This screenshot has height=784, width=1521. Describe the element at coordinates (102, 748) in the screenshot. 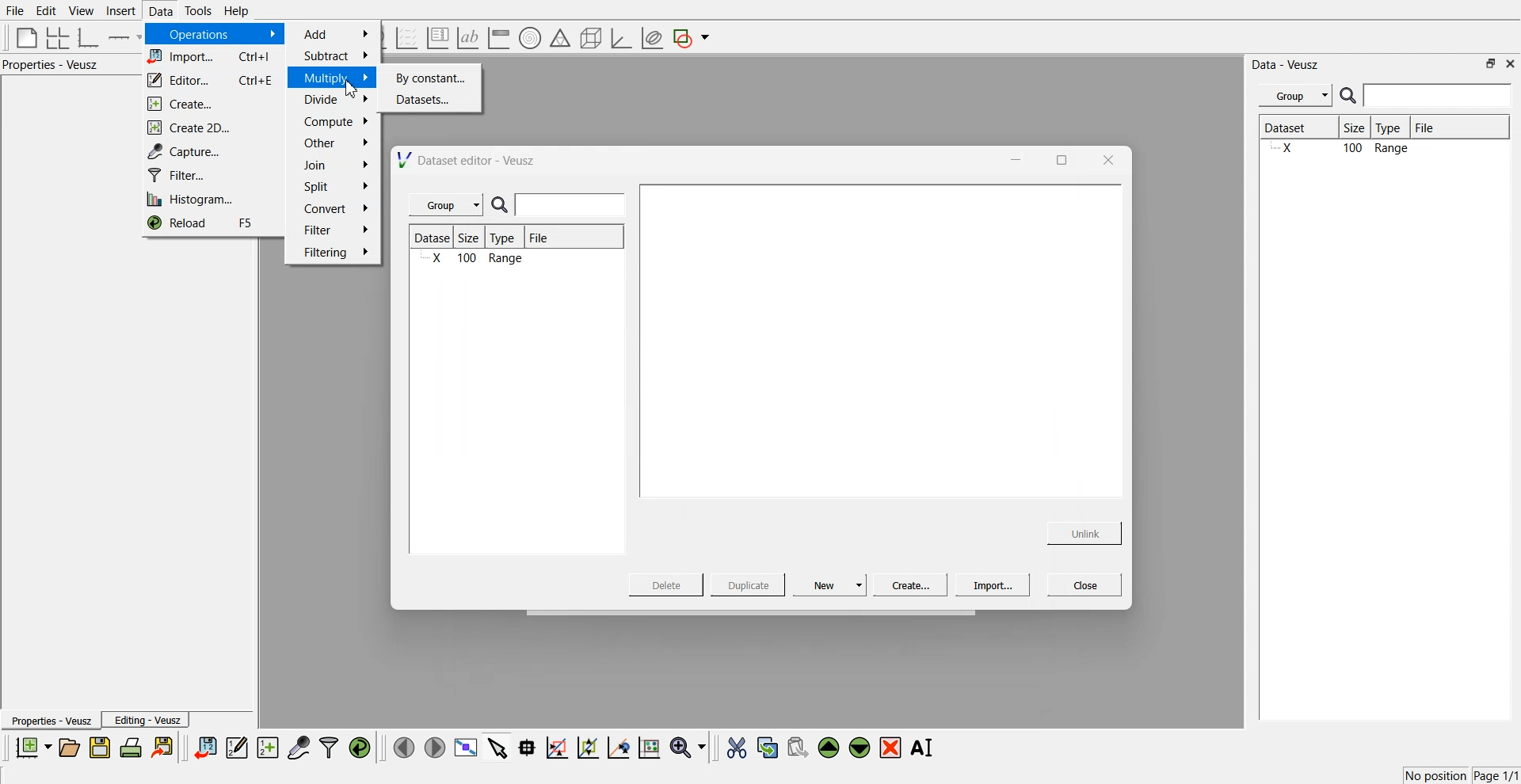

I see `save` at that location.